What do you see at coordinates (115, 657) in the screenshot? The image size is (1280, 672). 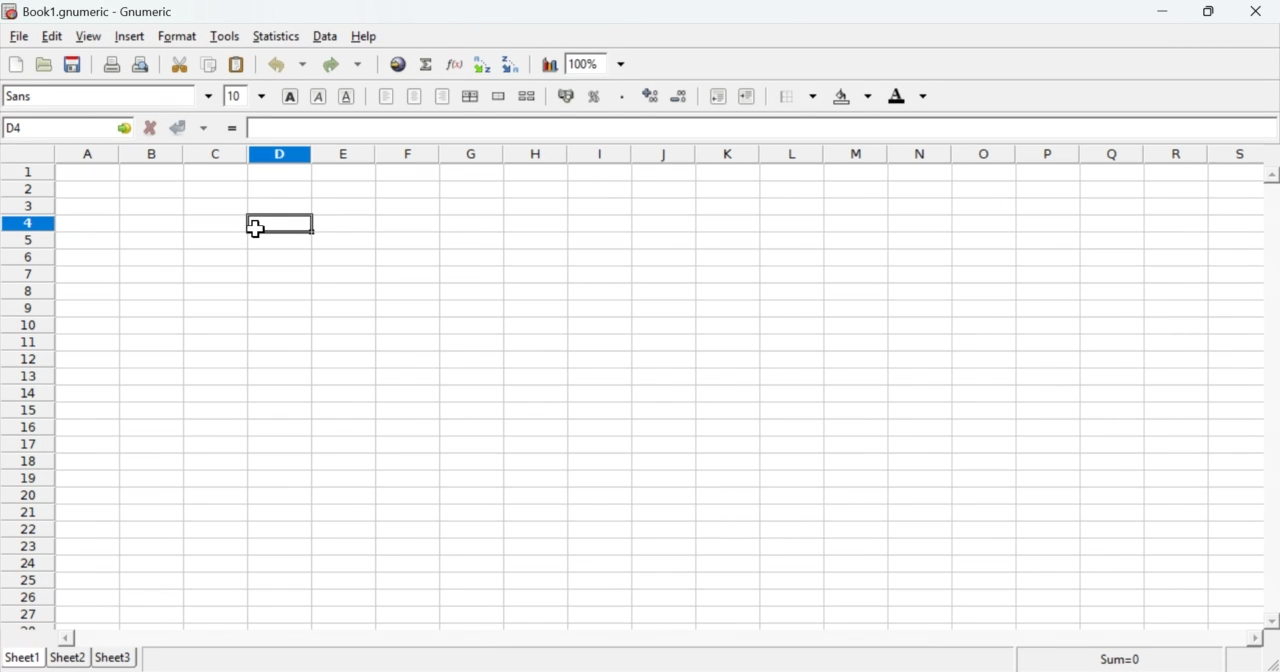 I see `Sheet 3` at bounding box center [115, 657].